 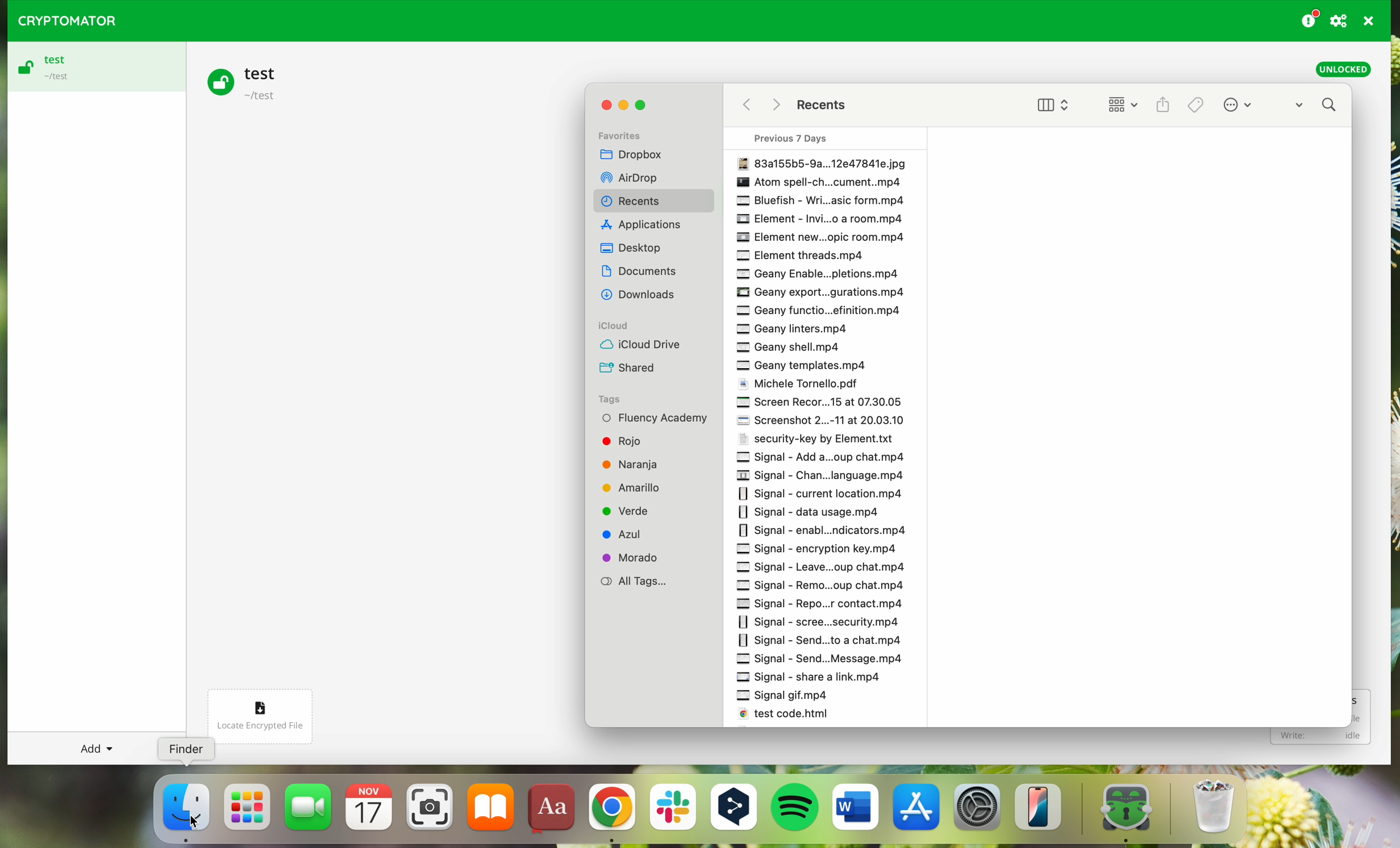 I want to click on , so click(x=779, y=107).